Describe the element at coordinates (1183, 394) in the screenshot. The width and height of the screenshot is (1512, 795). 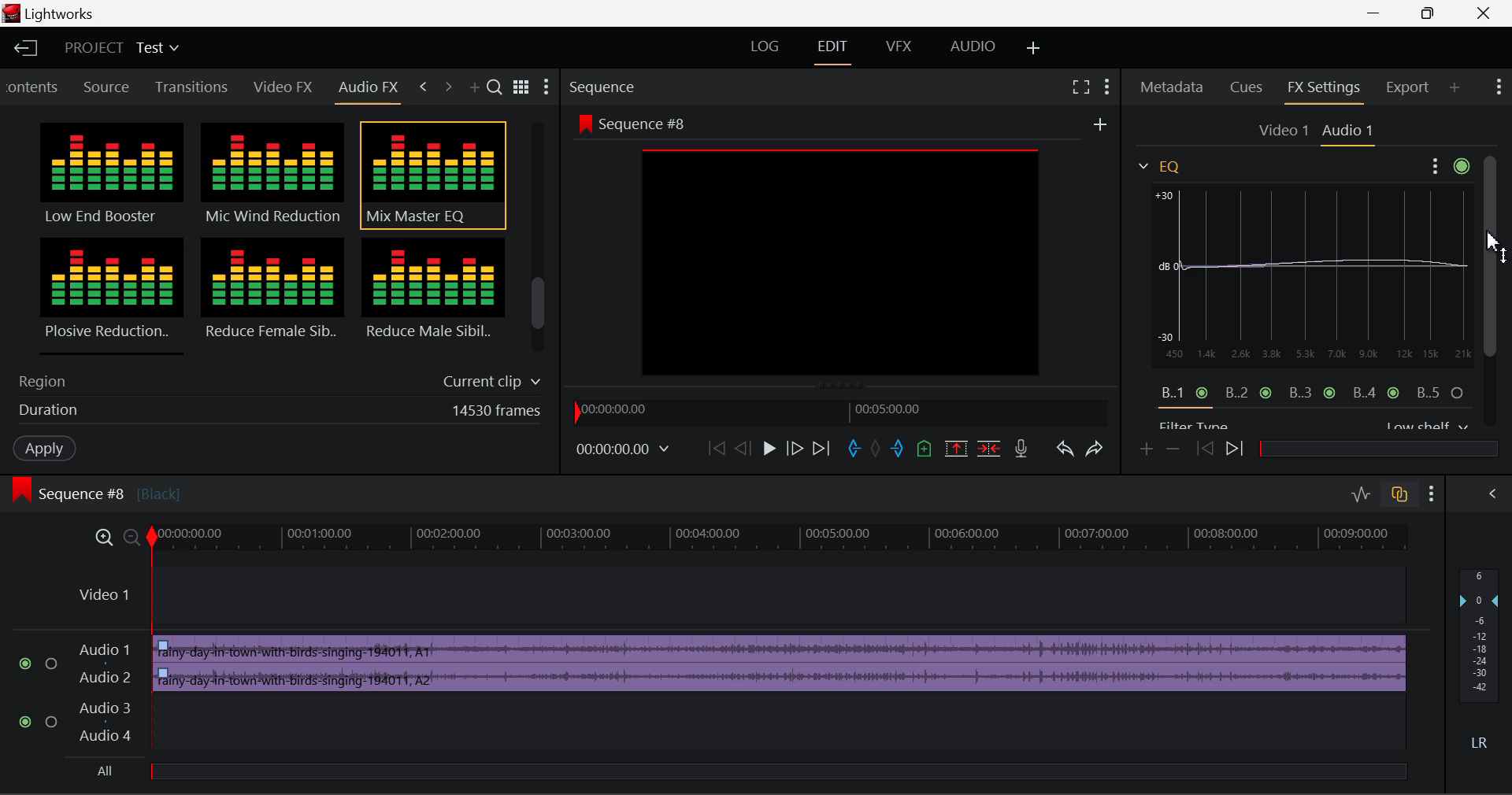
I see `Band 1` at that location.